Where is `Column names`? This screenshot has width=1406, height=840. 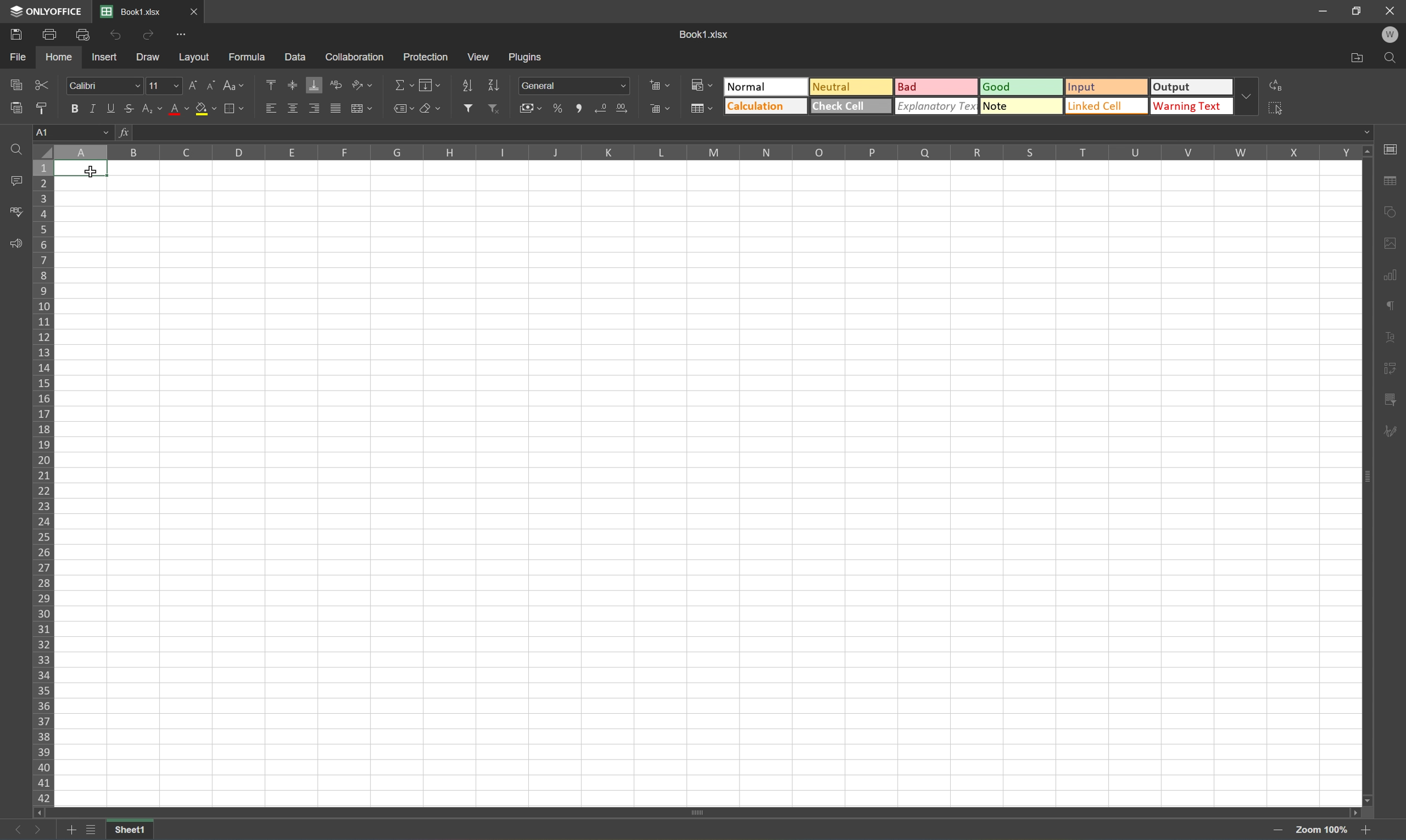 Column names is located at coordinates (708, 153).